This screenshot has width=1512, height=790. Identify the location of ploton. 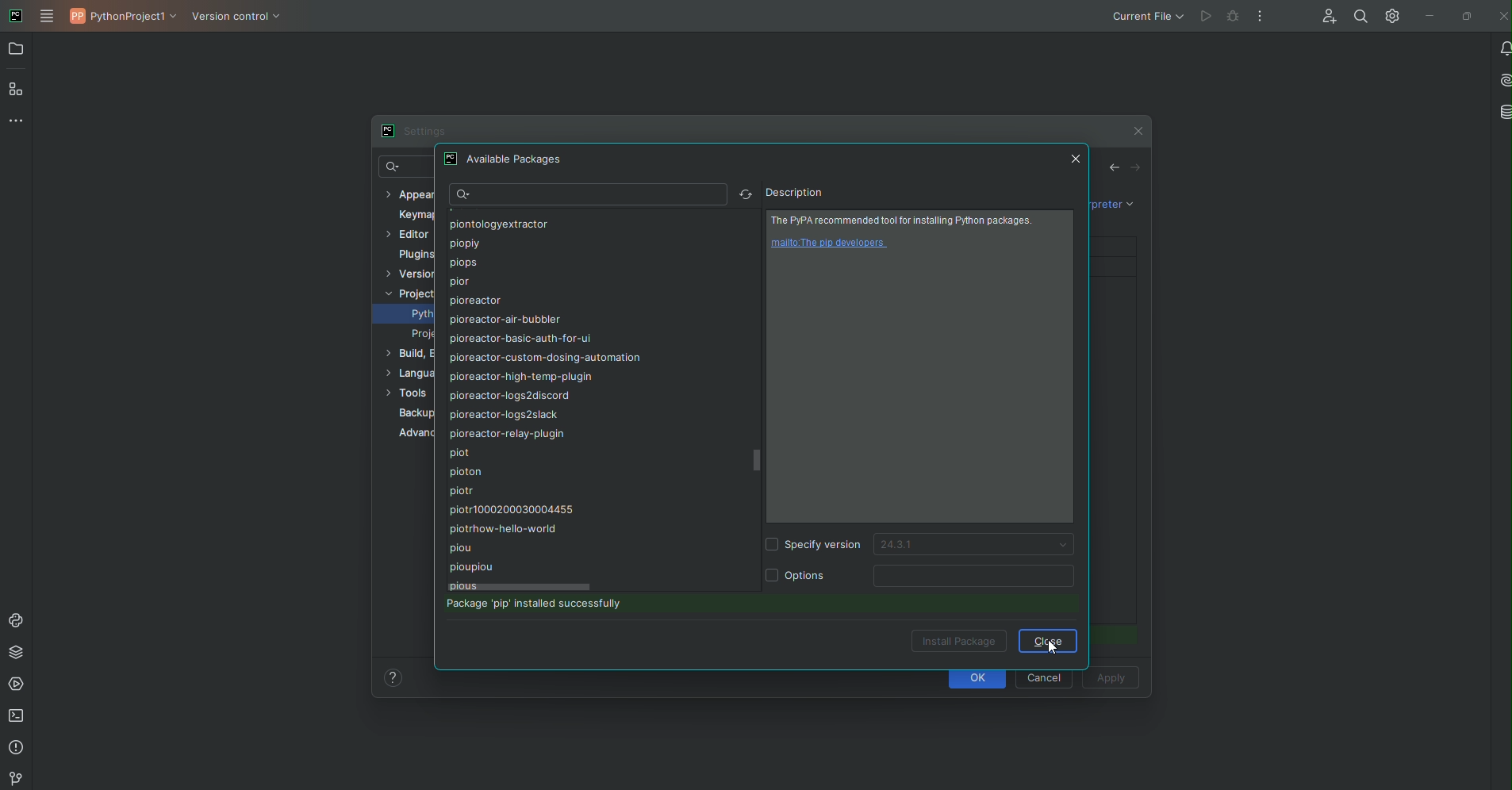
(466, 473).